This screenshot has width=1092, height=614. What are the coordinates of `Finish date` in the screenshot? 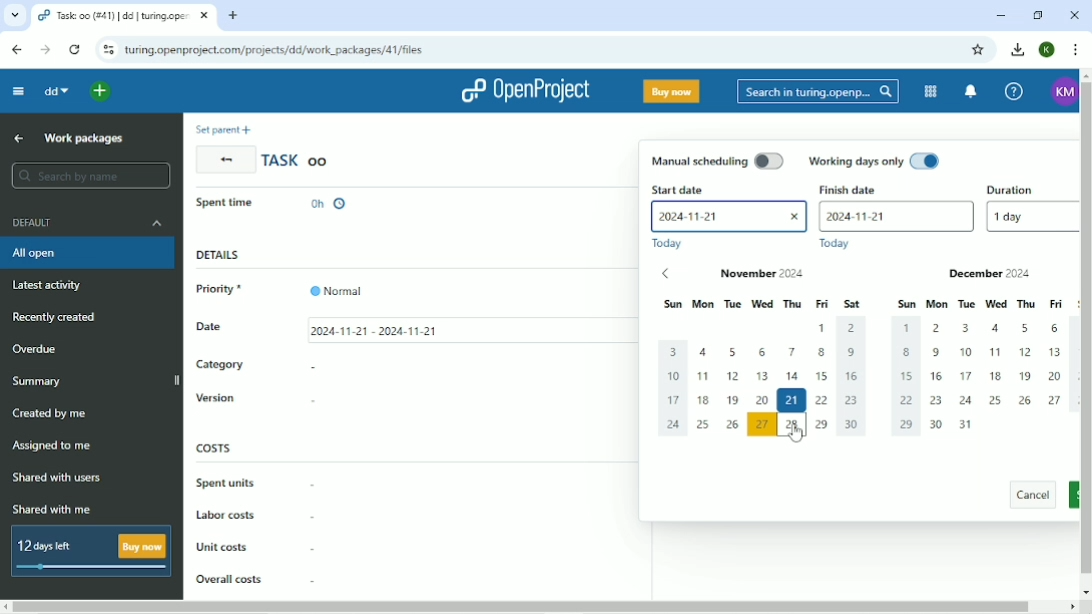 It's located at (866, 190).